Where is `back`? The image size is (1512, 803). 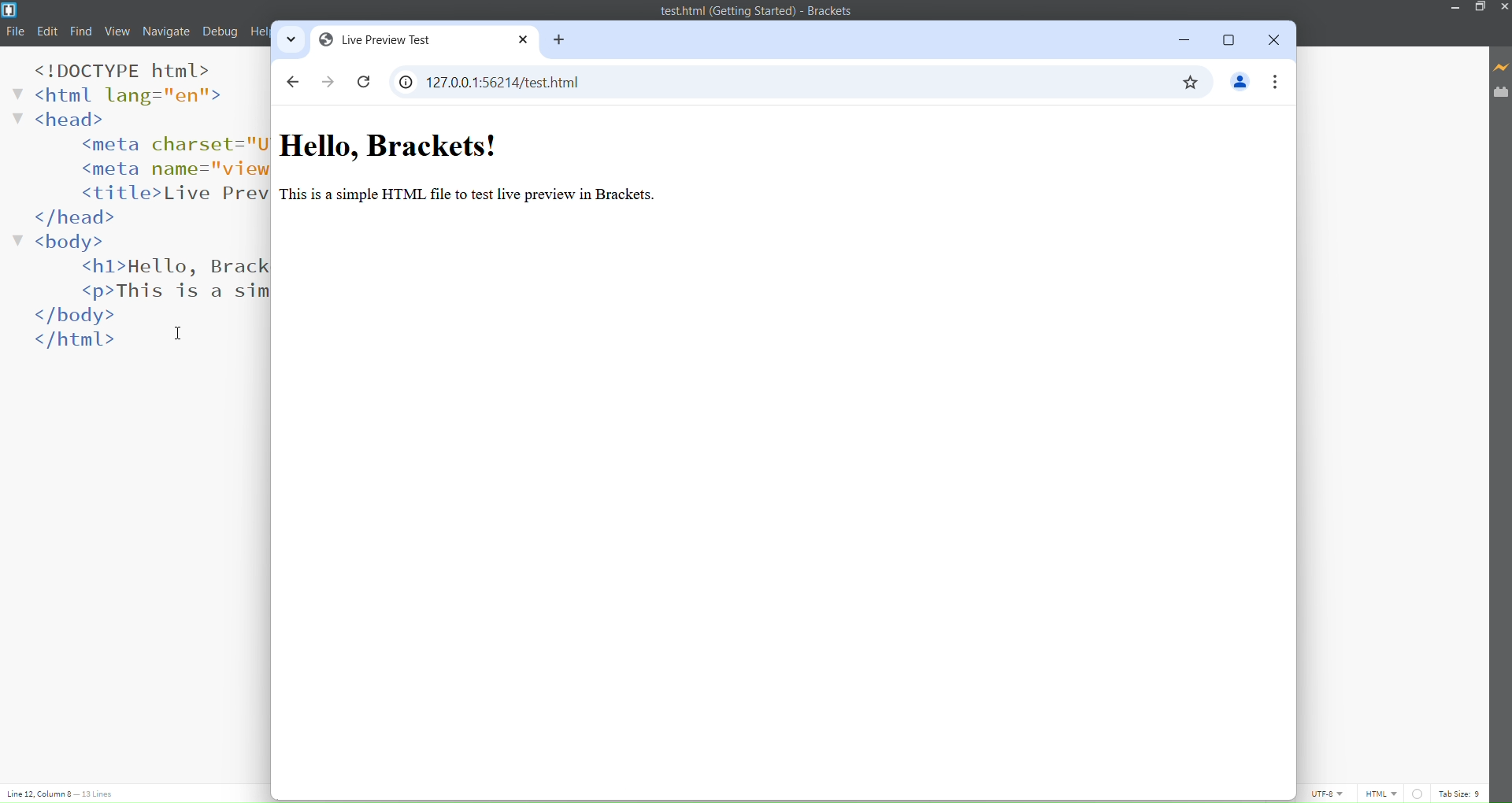
back is located at coordinates (292, 83).